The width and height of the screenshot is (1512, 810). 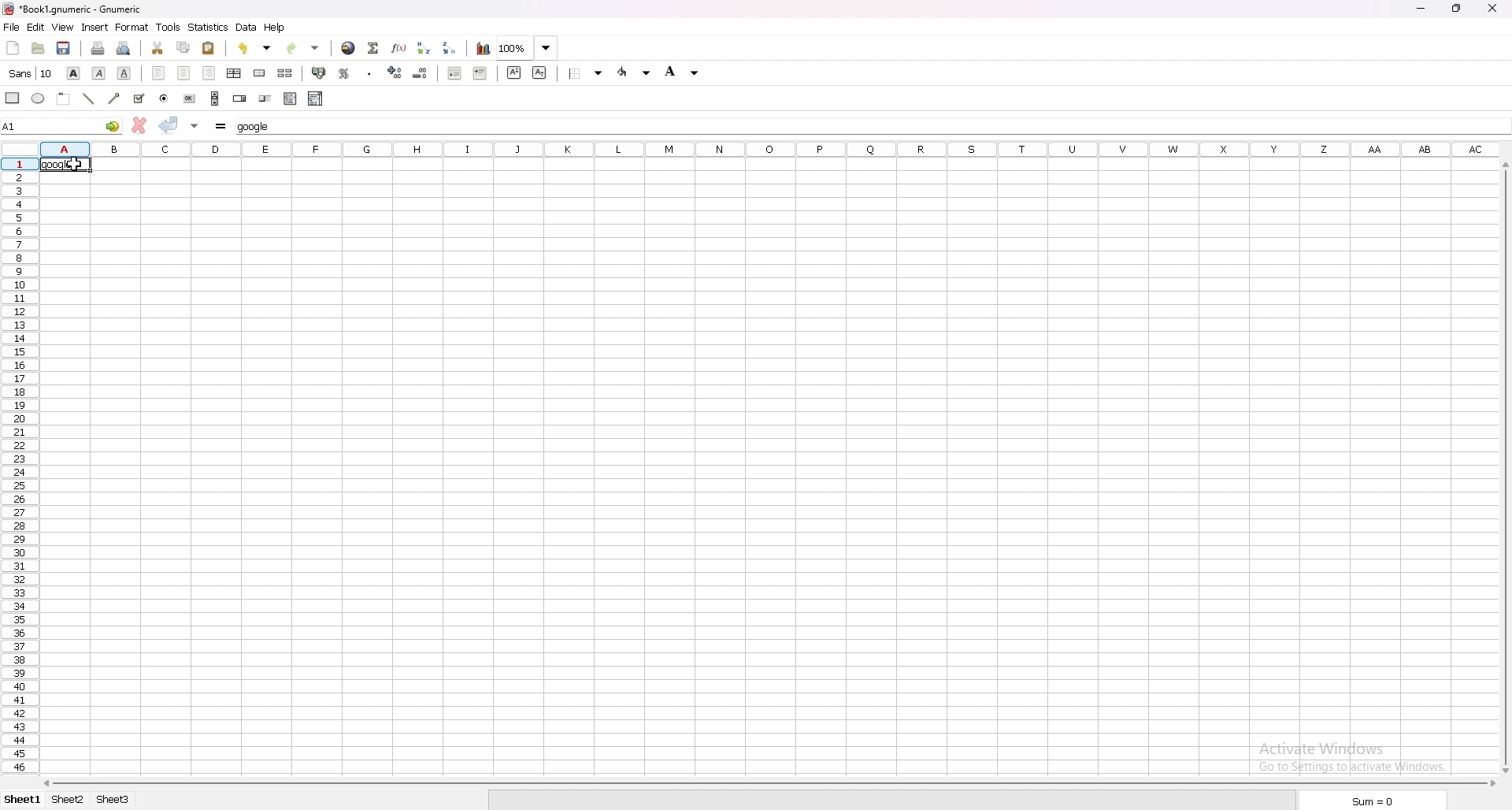 I want to click on button, so click(x=191, y=98).